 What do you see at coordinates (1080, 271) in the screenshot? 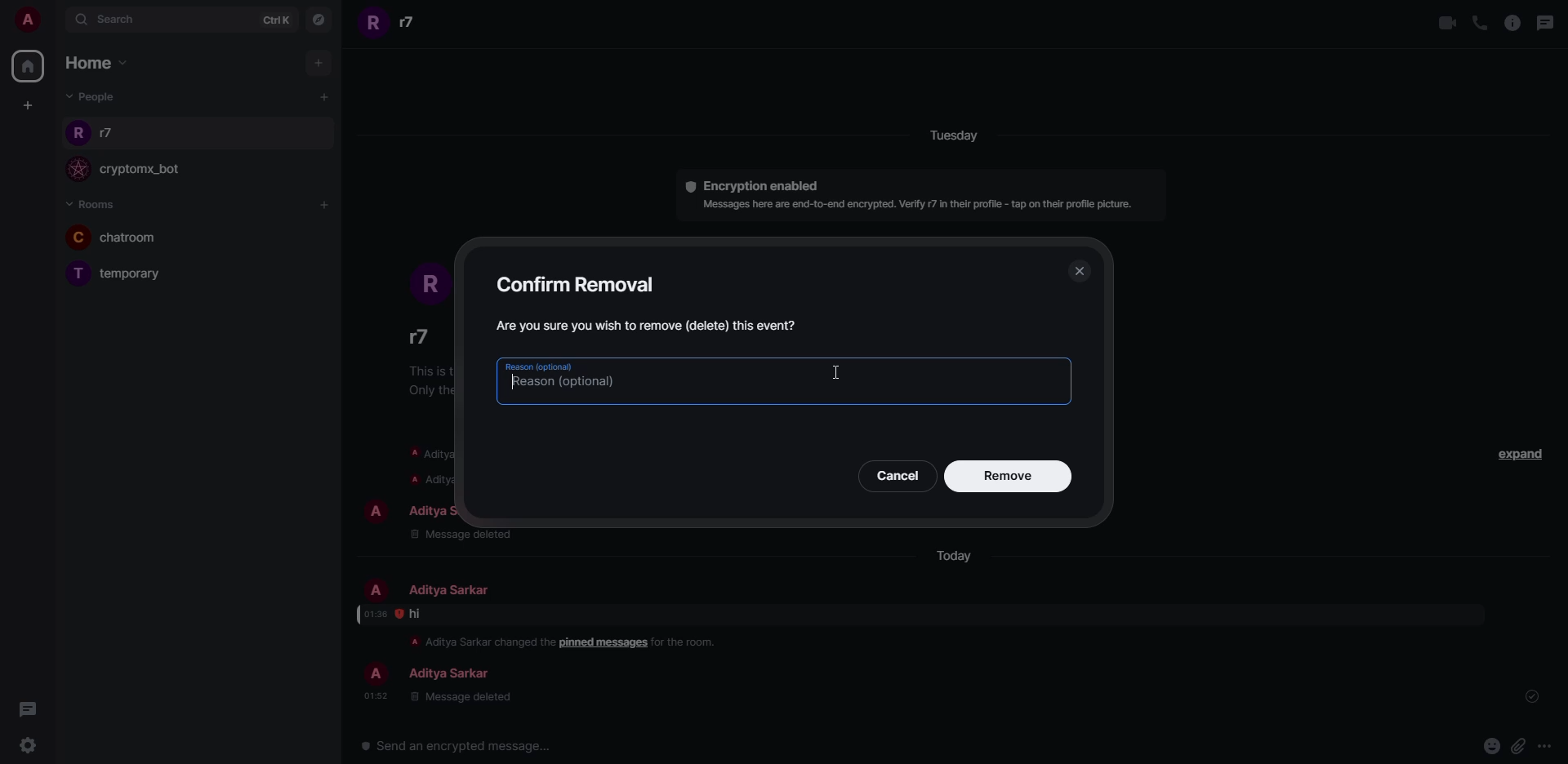
I see `close` at bounding box center [1080, 271].